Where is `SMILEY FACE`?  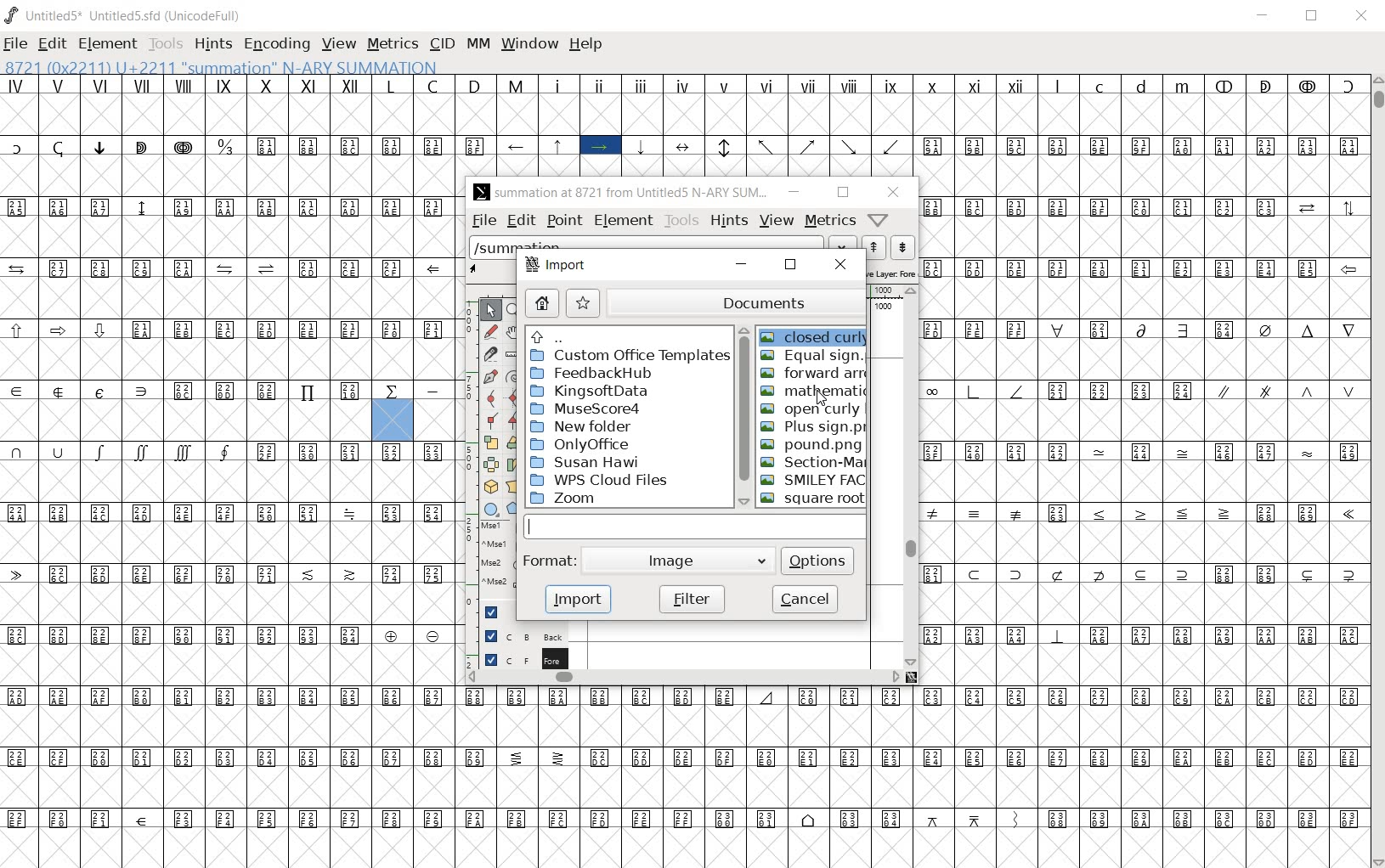
SMILEY FACE is located at coordinates (815, 480).